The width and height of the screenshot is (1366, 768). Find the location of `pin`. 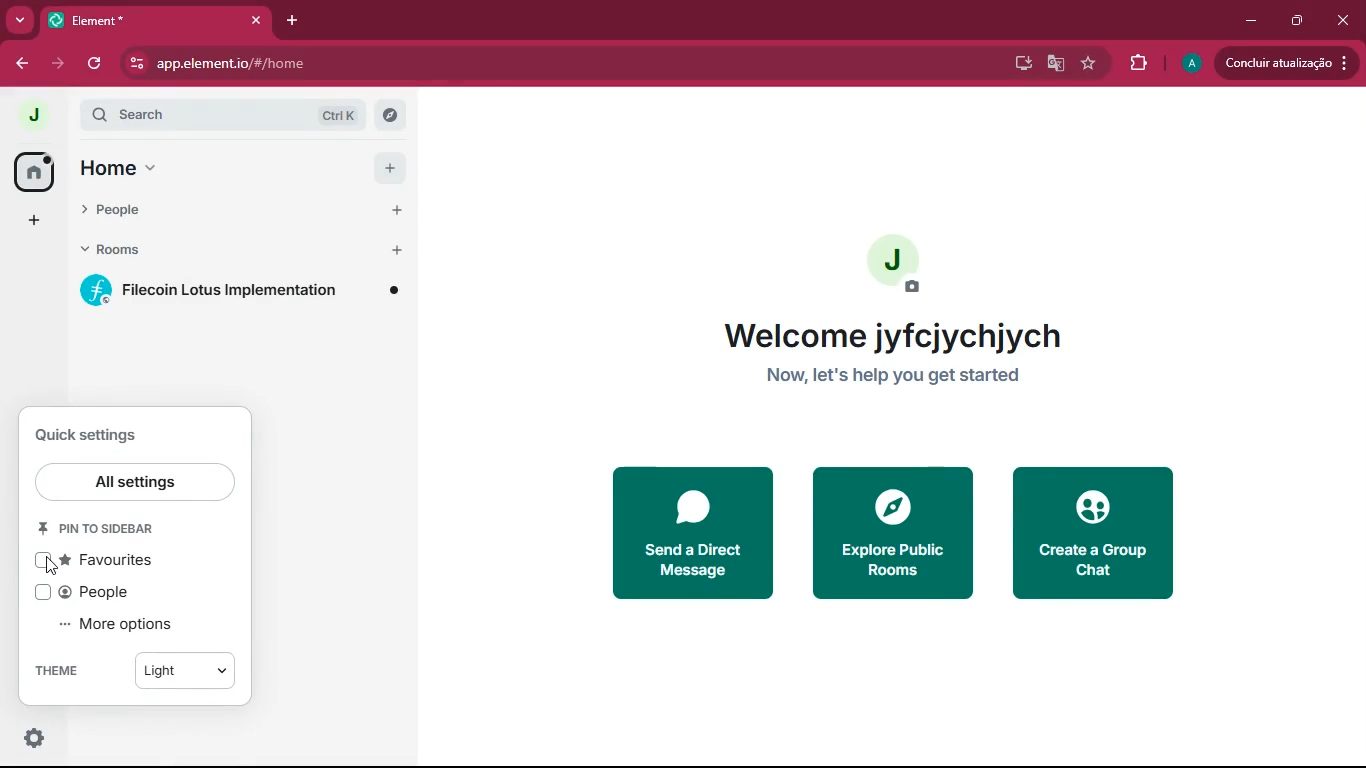

pin is located at coordinates (111, 529).